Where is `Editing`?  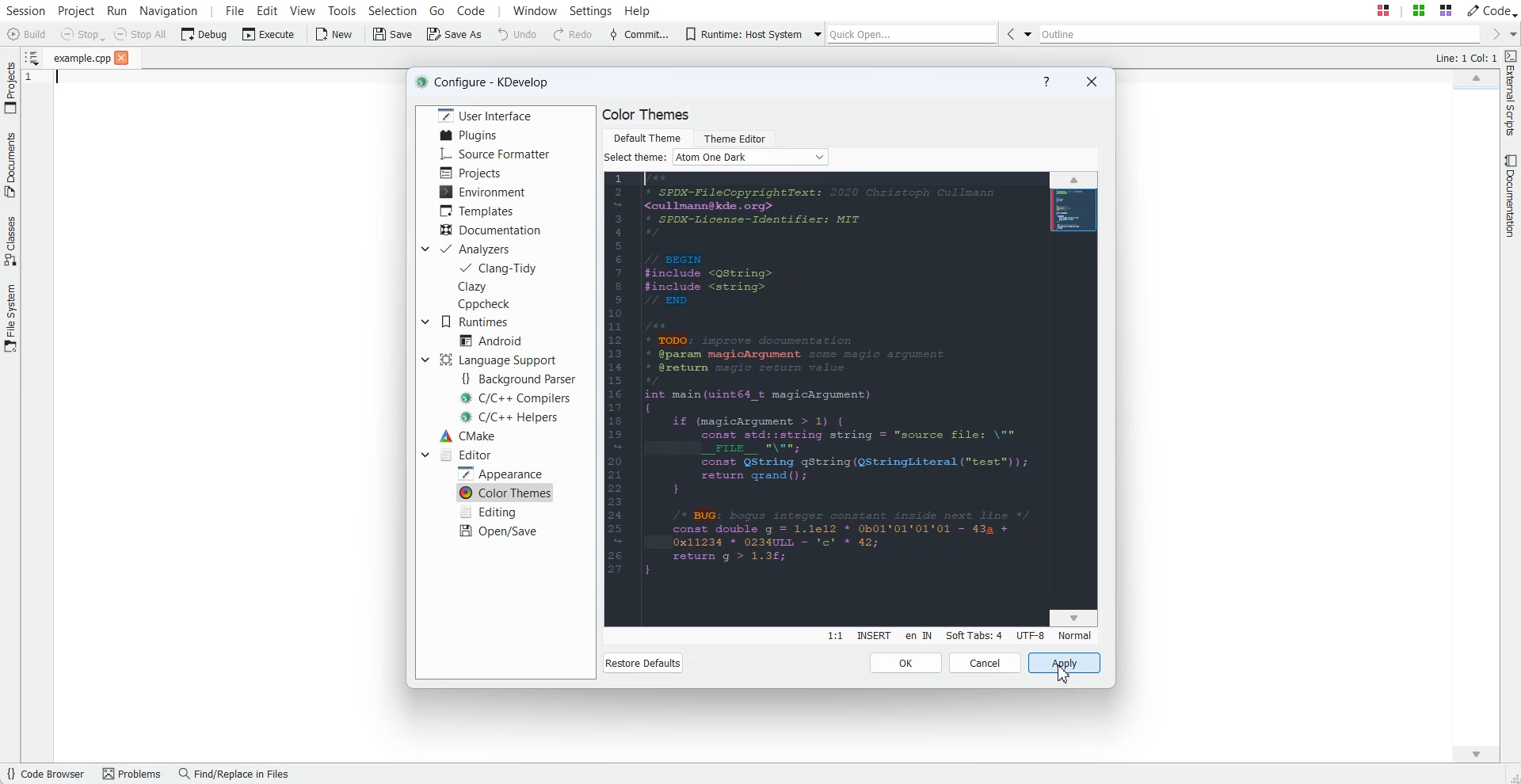
Editing is located at coordinates (491, 512).